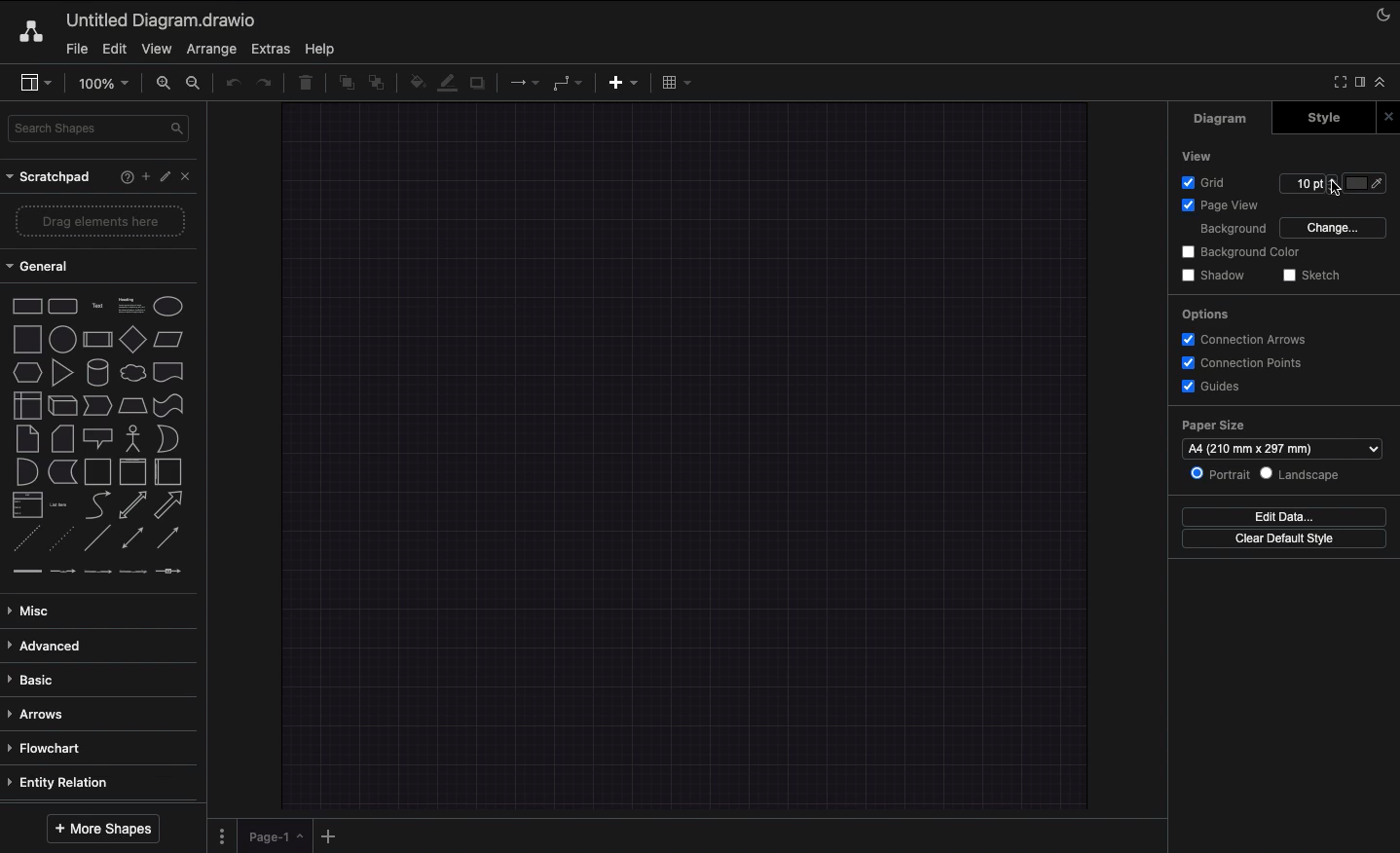 This screenshot has height=853, width=1400. I want to click on Paper size, so click(1280, 438).